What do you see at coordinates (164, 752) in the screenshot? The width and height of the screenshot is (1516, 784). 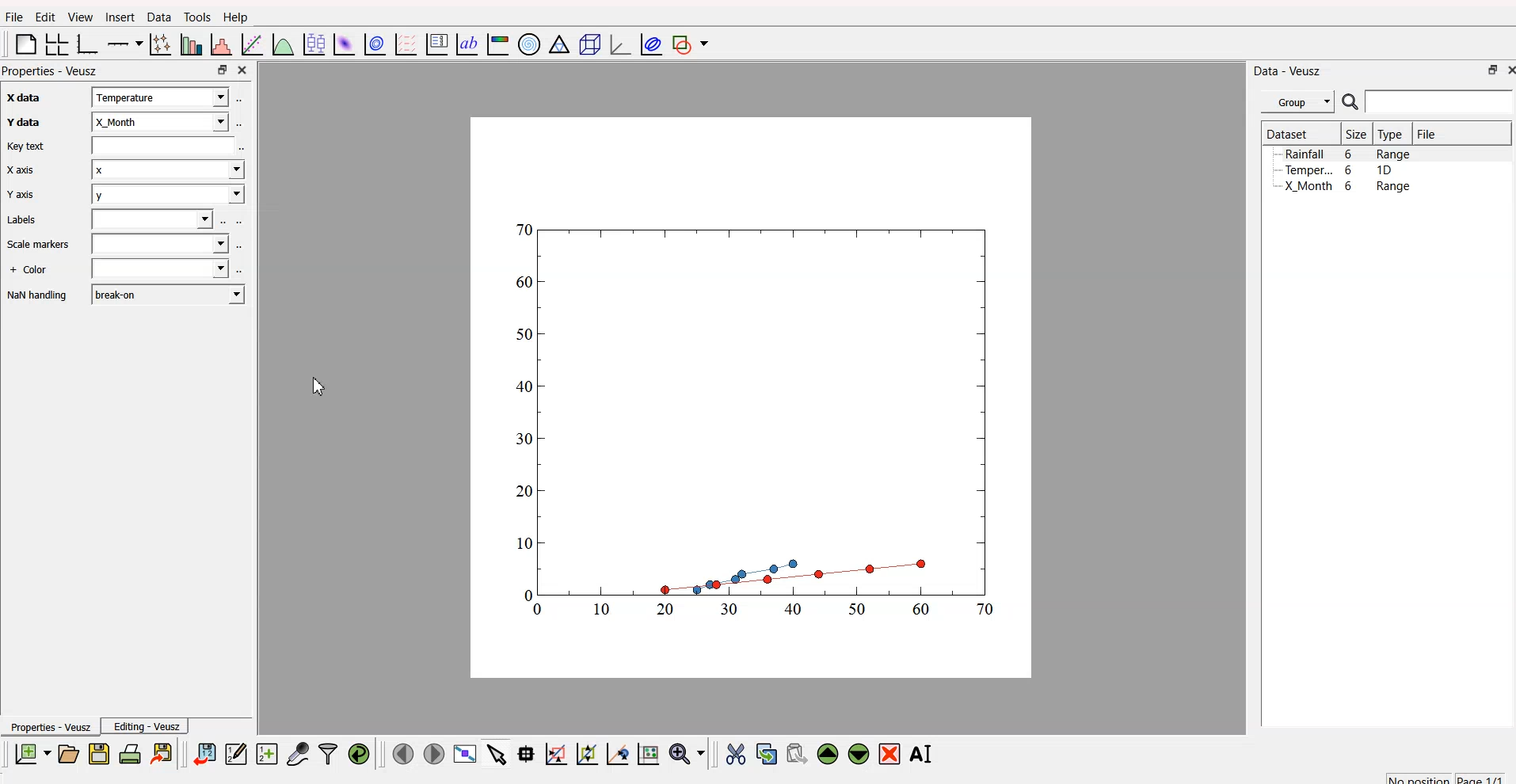 I see `export to graphics format` at bounding box center [164, 752].